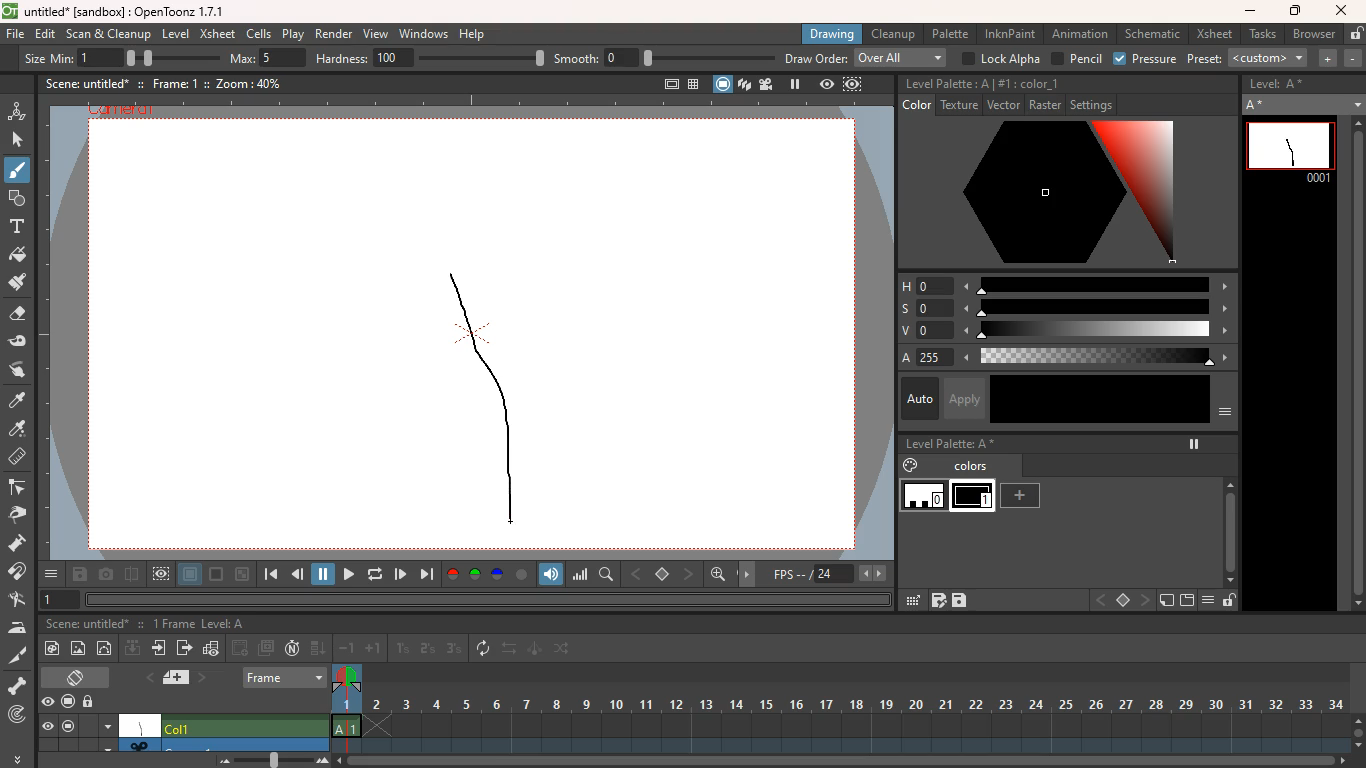 The width and height of the screenshot is (1366, 768). What do you see at coordinates (1099, 600) in the screenshot?
I see `back` at bounding box center [1099, 600].